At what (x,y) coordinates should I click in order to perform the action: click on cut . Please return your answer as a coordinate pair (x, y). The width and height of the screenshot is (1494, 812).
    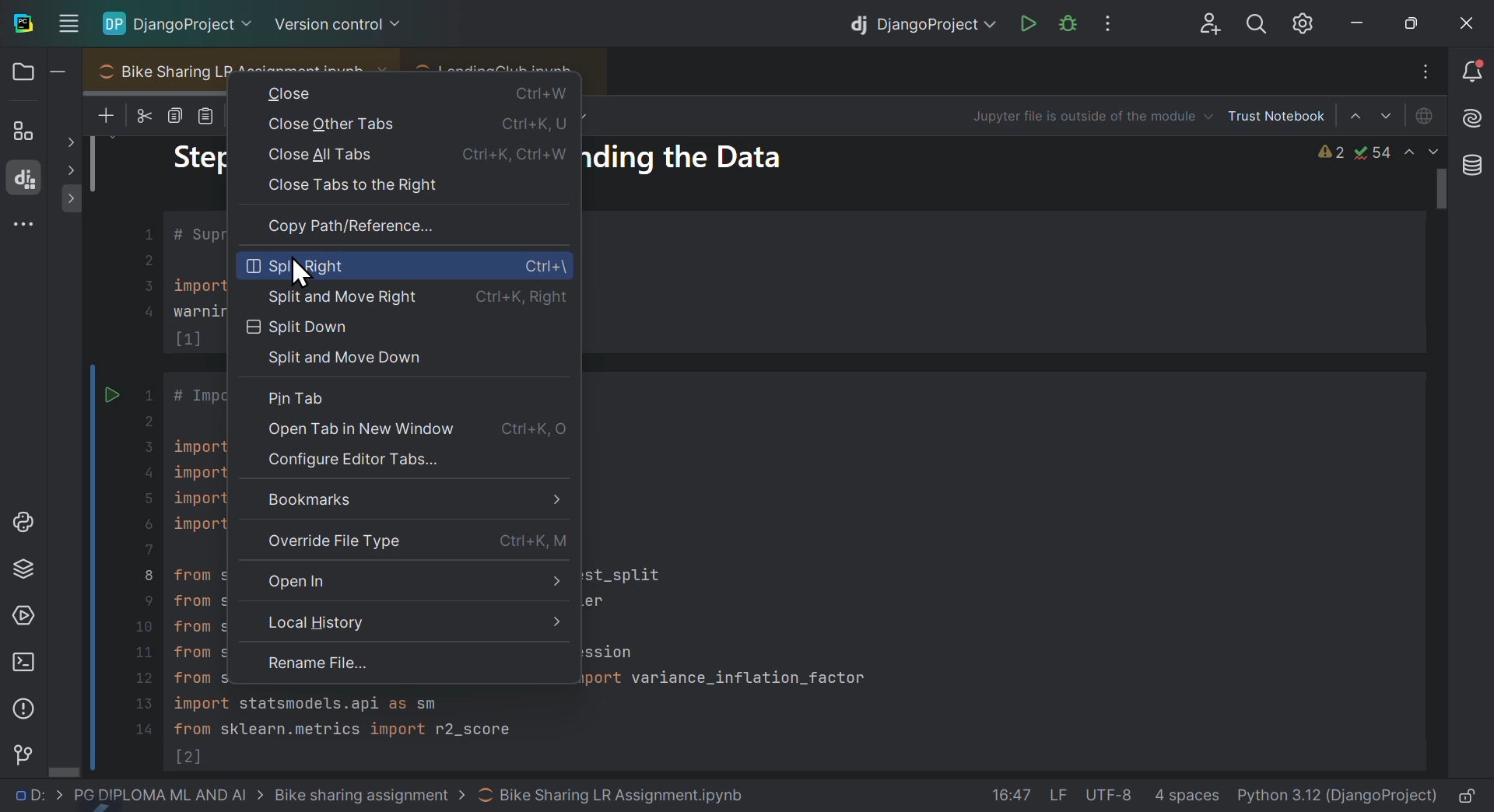
    Looking at the image, I should click on (144, 111).